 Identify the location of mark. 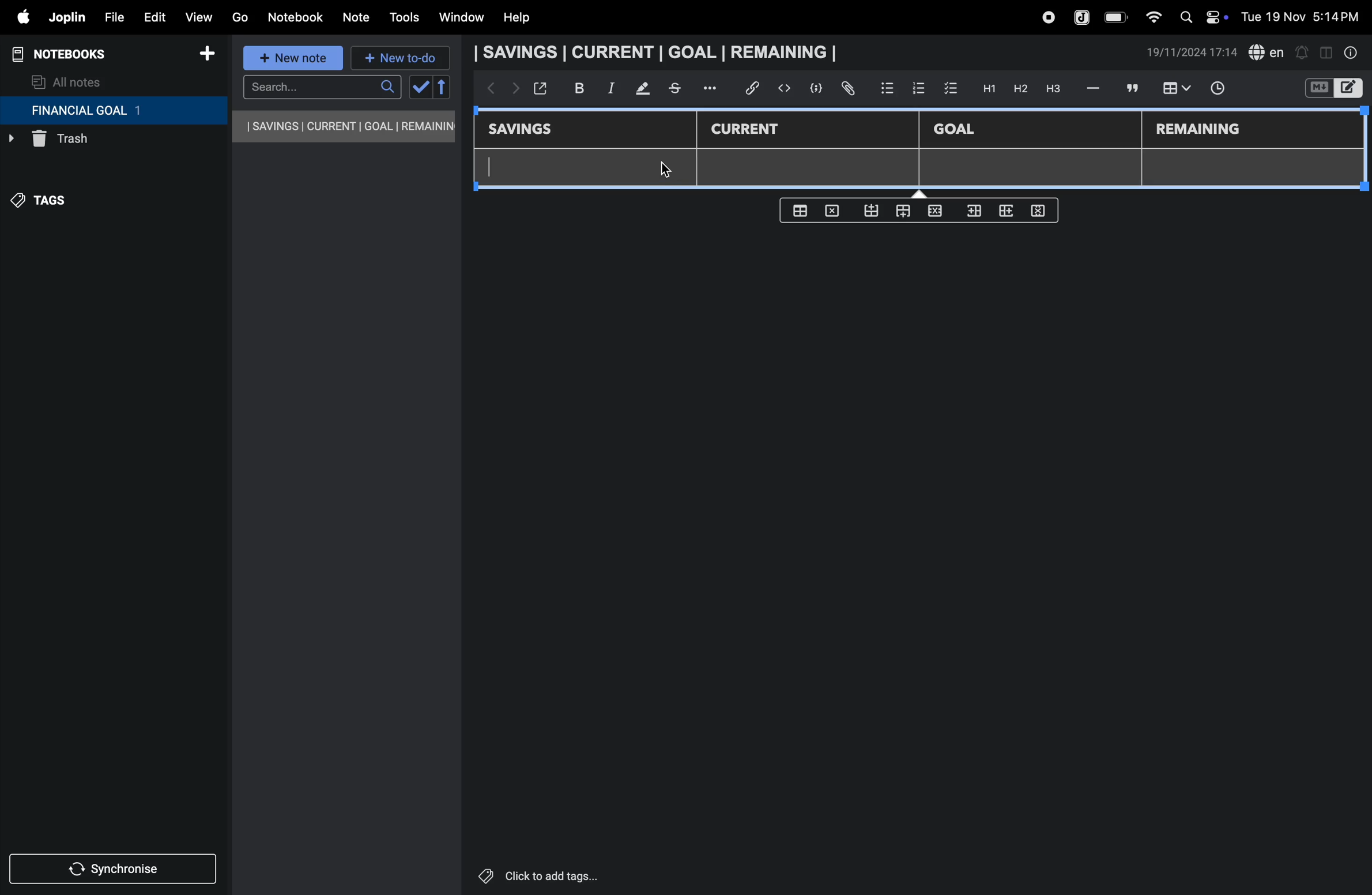
(638, 89).